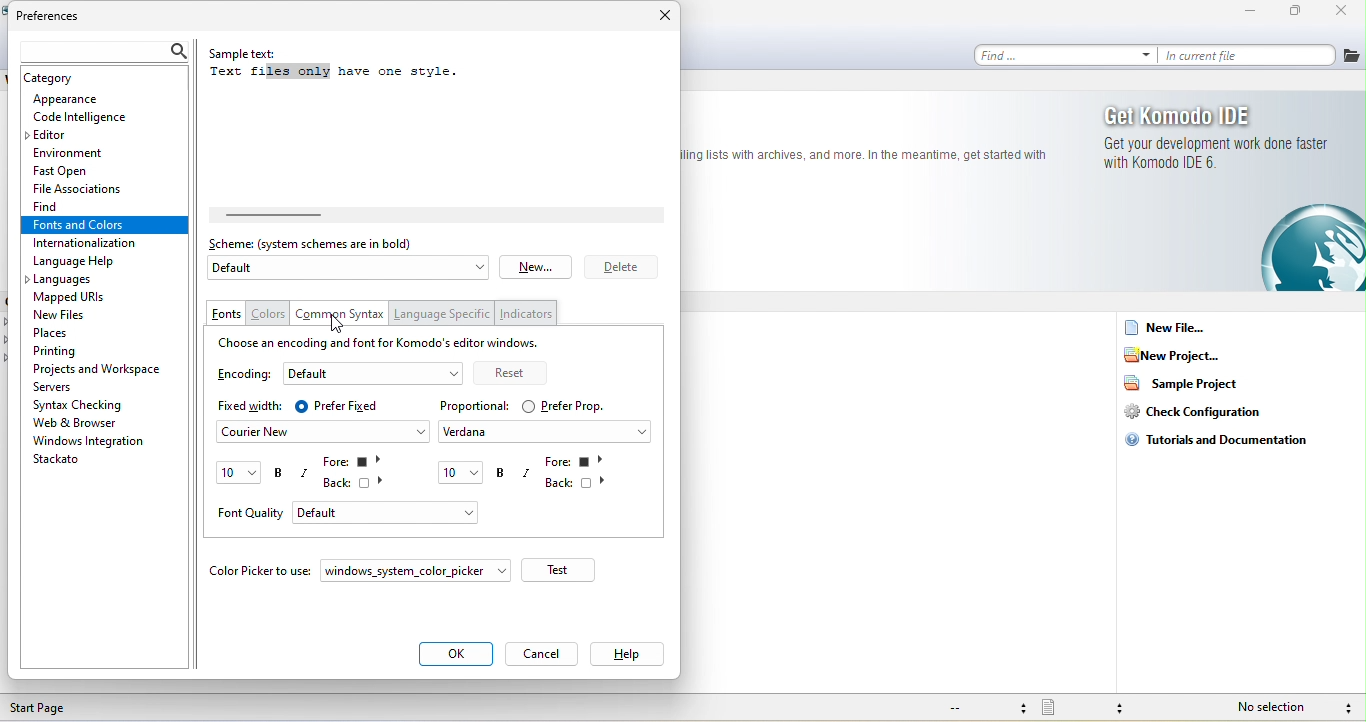 This screenshot has height=722, width=1366. Describe the element at coordinates (72, 171) in the screenshot. I see `fast open` at that location.